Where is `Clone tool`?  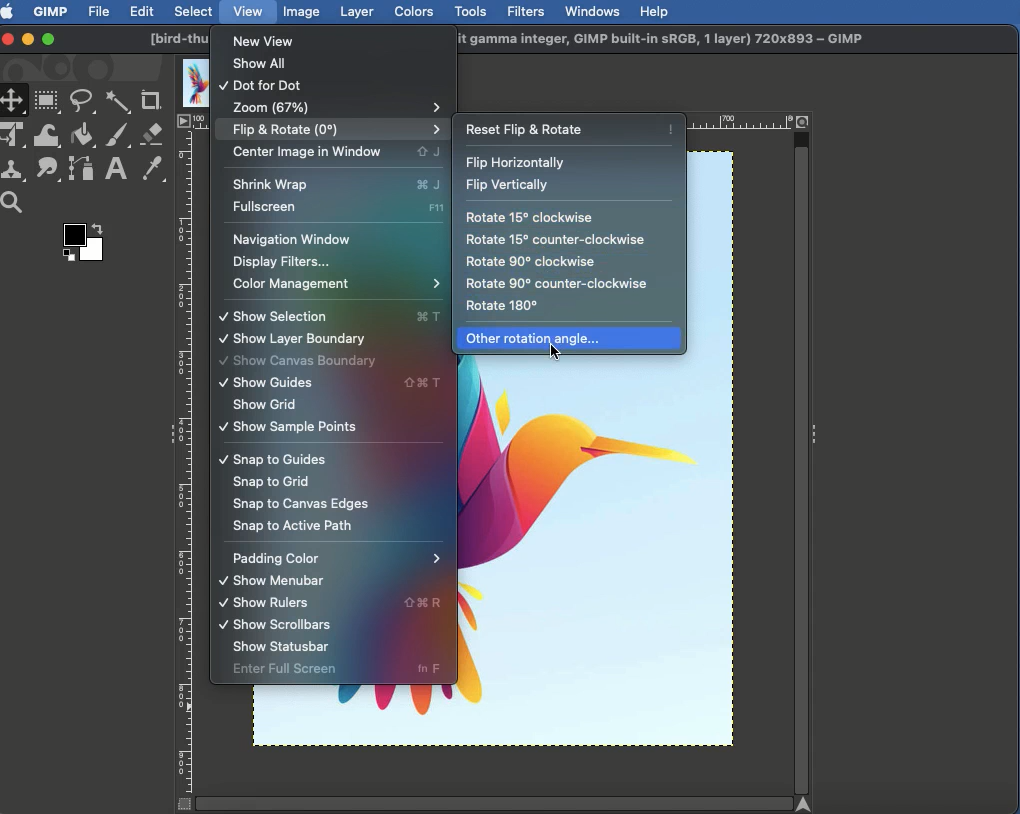
Clone tool is located at coordinates (15, 171).